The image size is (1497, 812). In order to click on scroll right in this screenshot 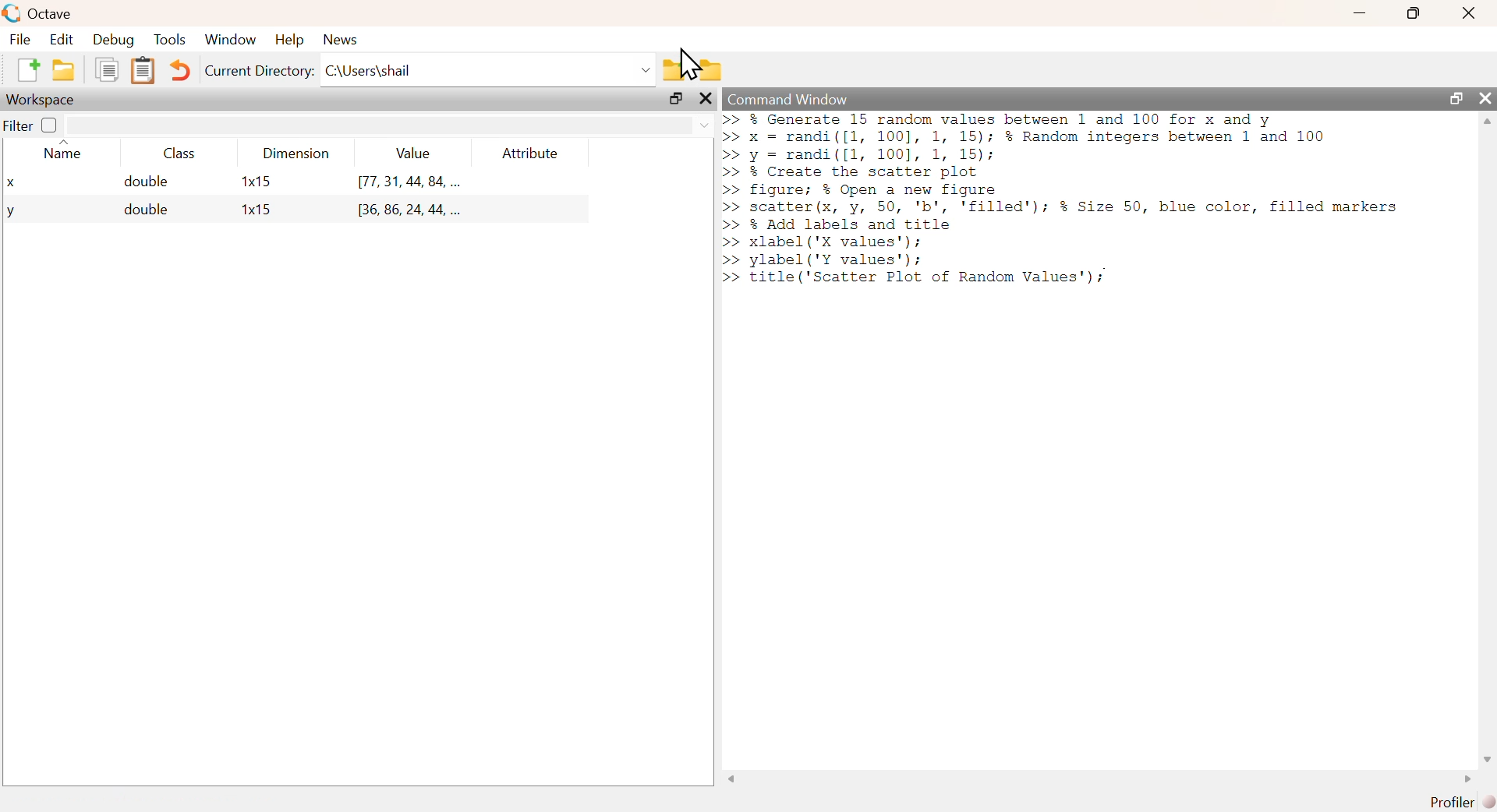, I will do `click(1467, 779)`.